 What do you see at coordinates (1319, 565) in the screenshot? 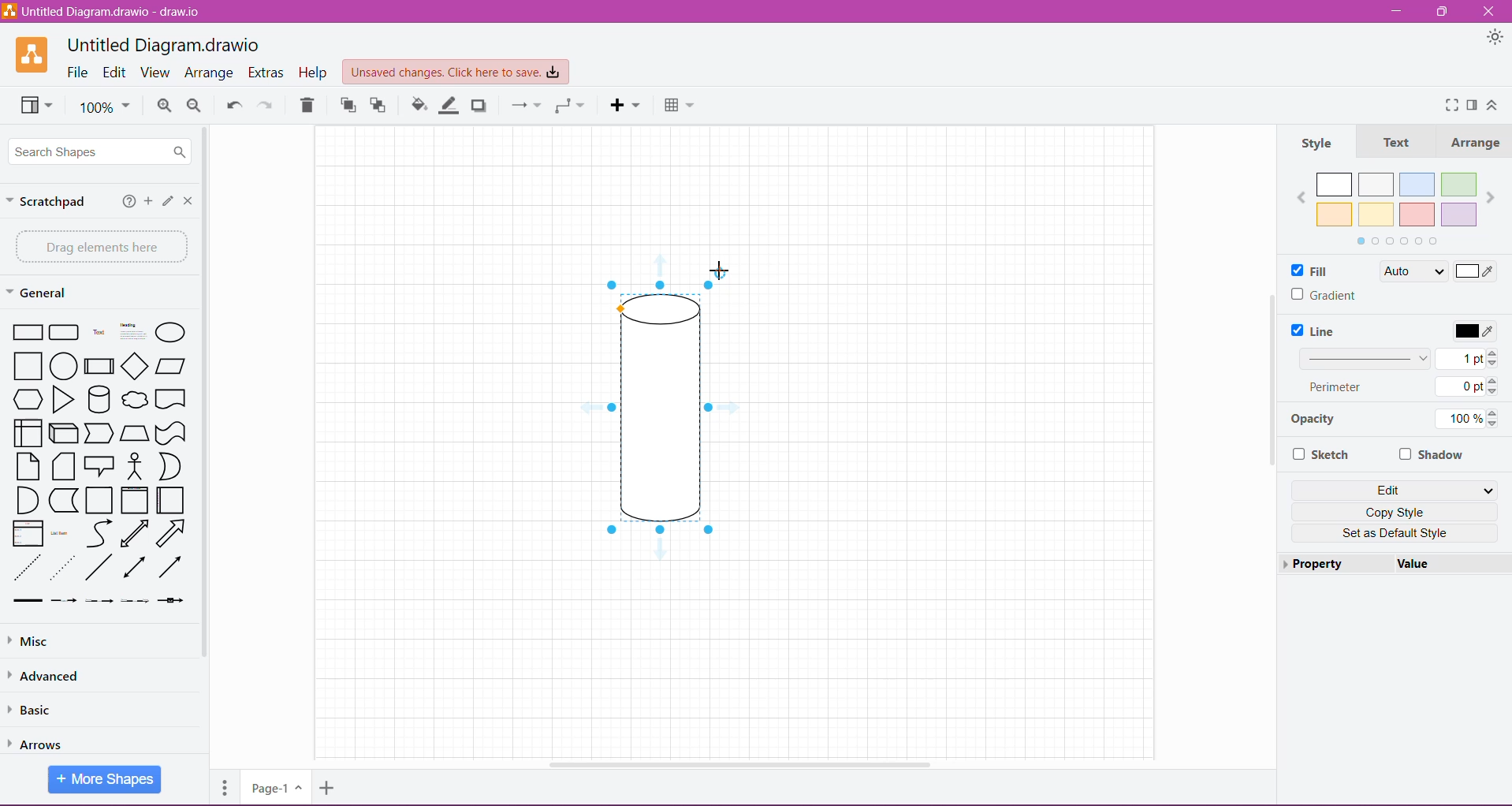
I see `Property` at bounding box center [1319, 565].